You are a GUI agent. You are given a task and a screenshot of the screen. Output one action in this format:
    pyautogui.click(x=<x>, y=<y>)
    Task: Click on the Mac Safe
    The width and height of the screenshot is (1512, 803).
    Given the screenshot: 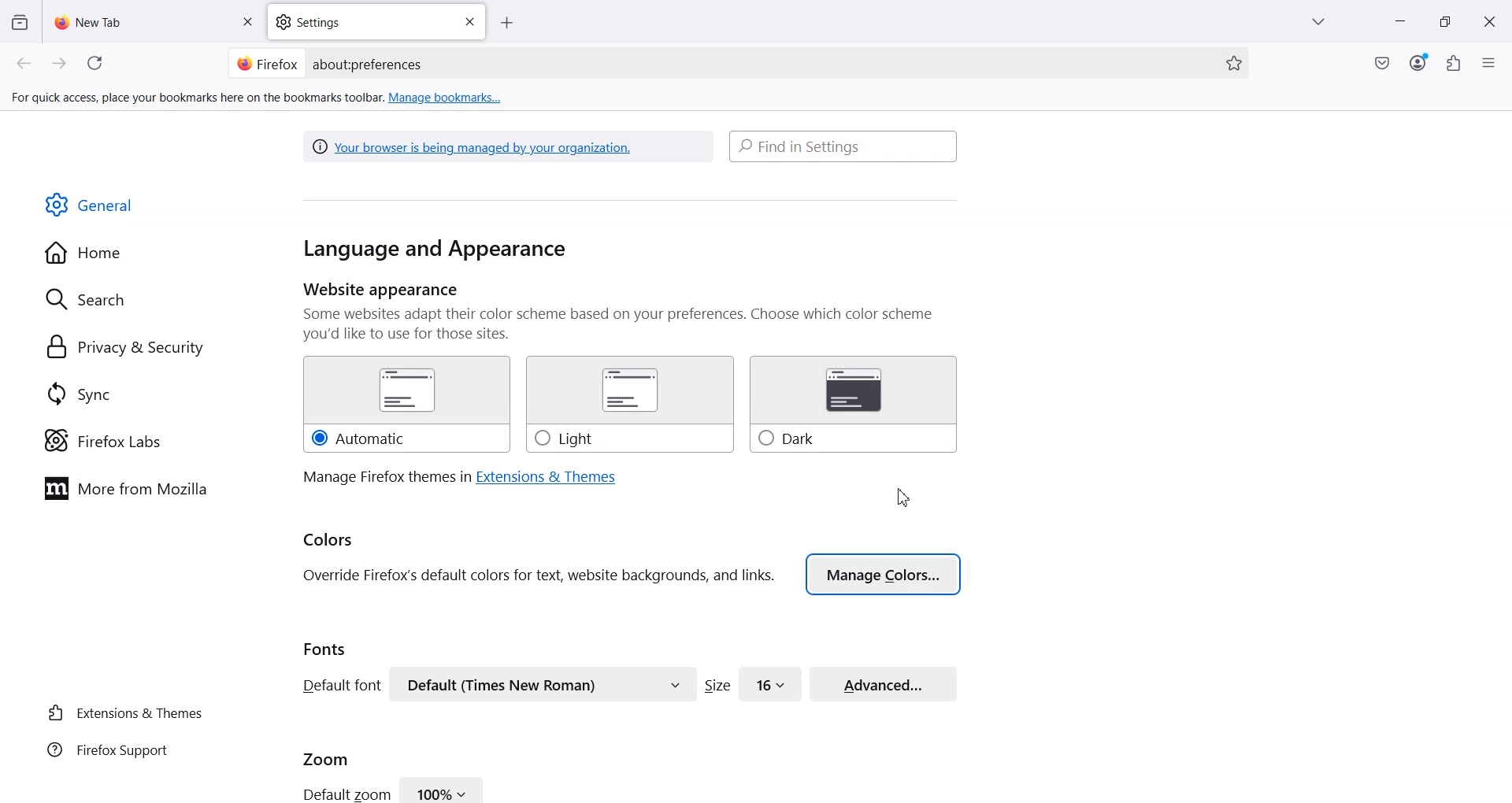 What is the action you would take?
    pyautogui.click(x=1382, y=63)
    